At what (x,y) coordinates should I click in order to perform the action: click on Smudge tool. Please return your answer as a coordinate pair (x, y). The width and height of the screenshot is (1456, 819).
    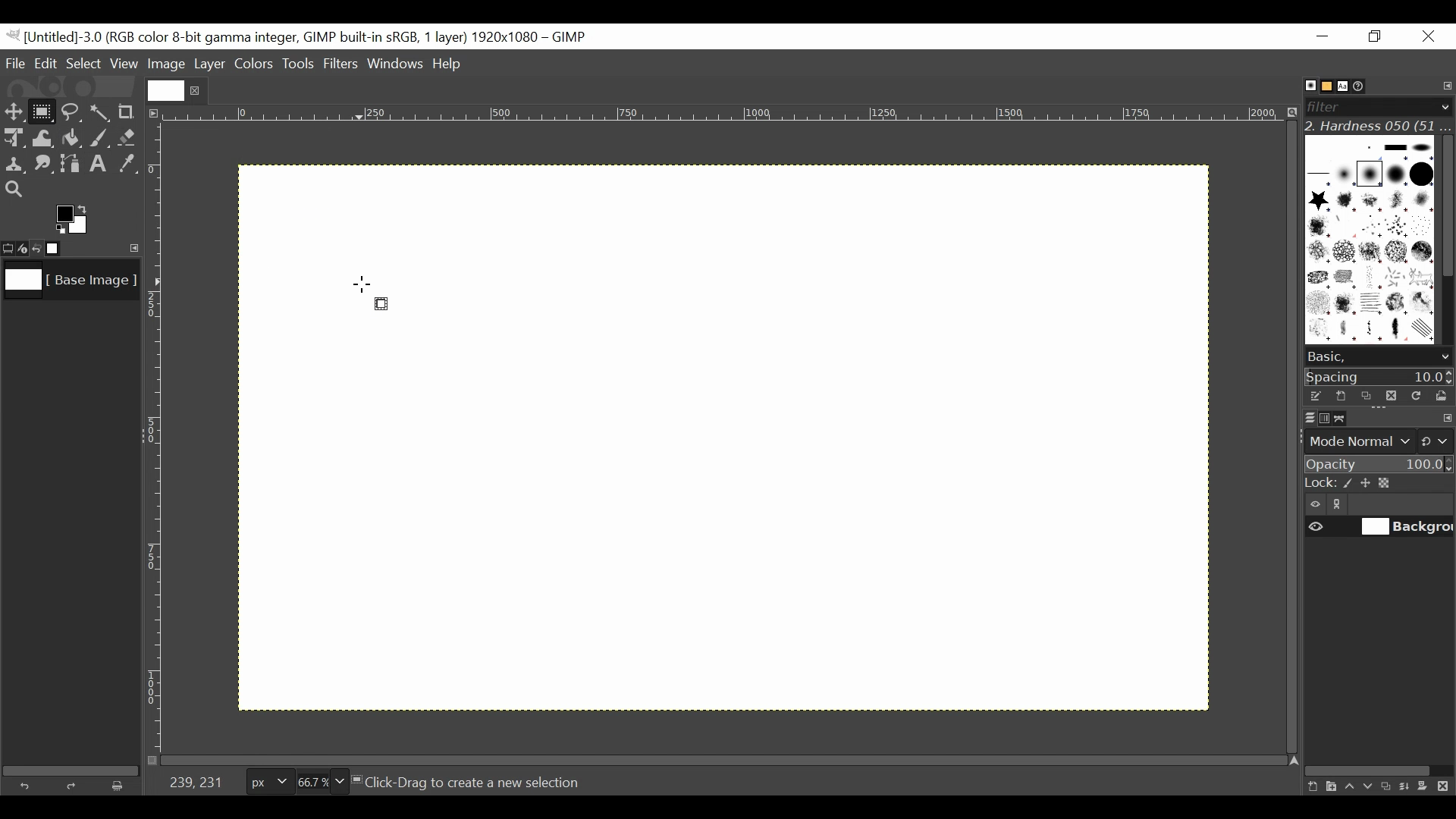
    Looking at the image, I should click on (45, 165).